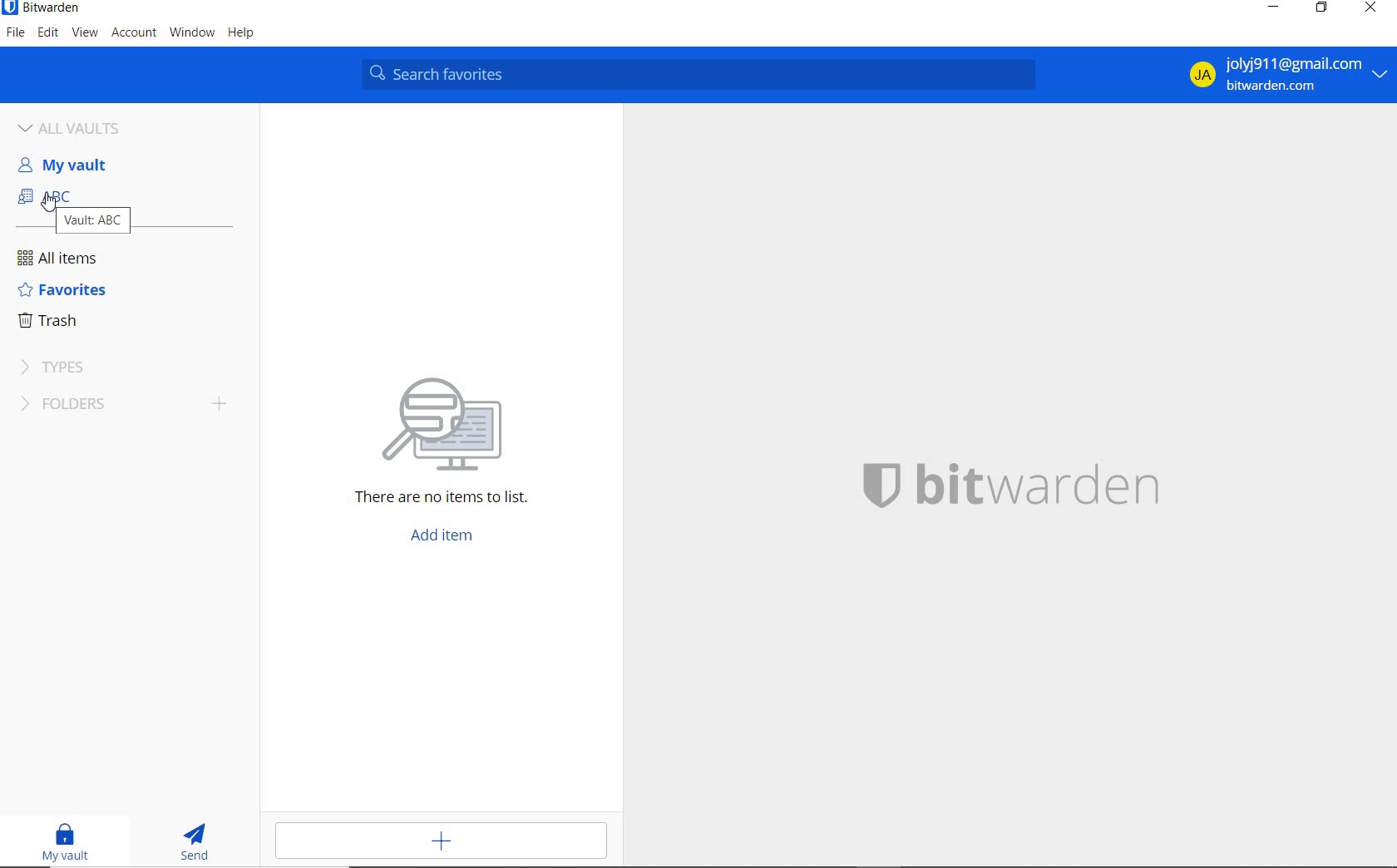  Describe the element at coordinates (1282, 75) in the screenshot. I see `ACCOUNT DETAILS AND OPTIONS` at that location.